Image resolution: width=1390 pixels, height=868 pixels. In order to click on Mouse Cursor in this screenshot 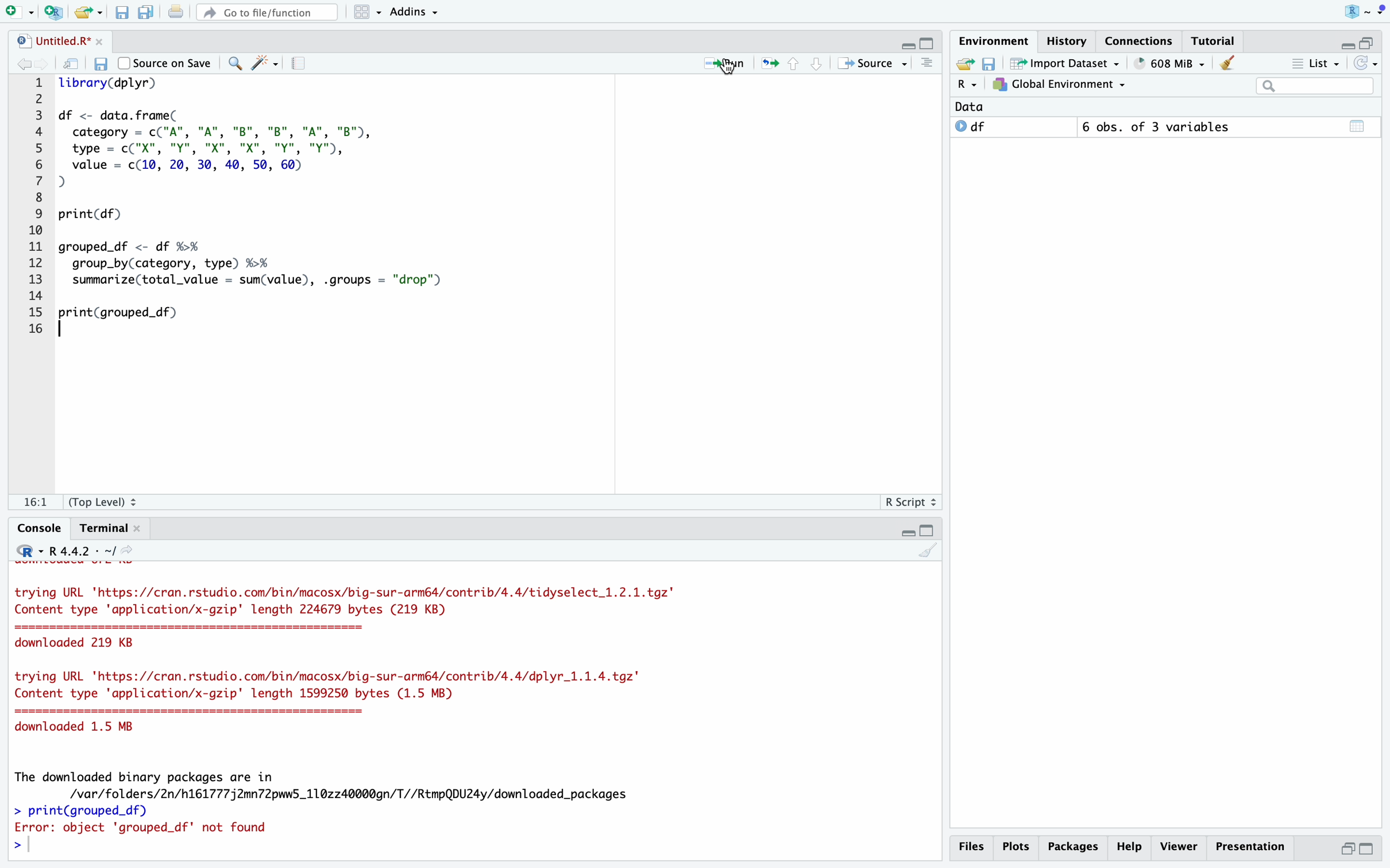, I will do `click(103, 88)`.